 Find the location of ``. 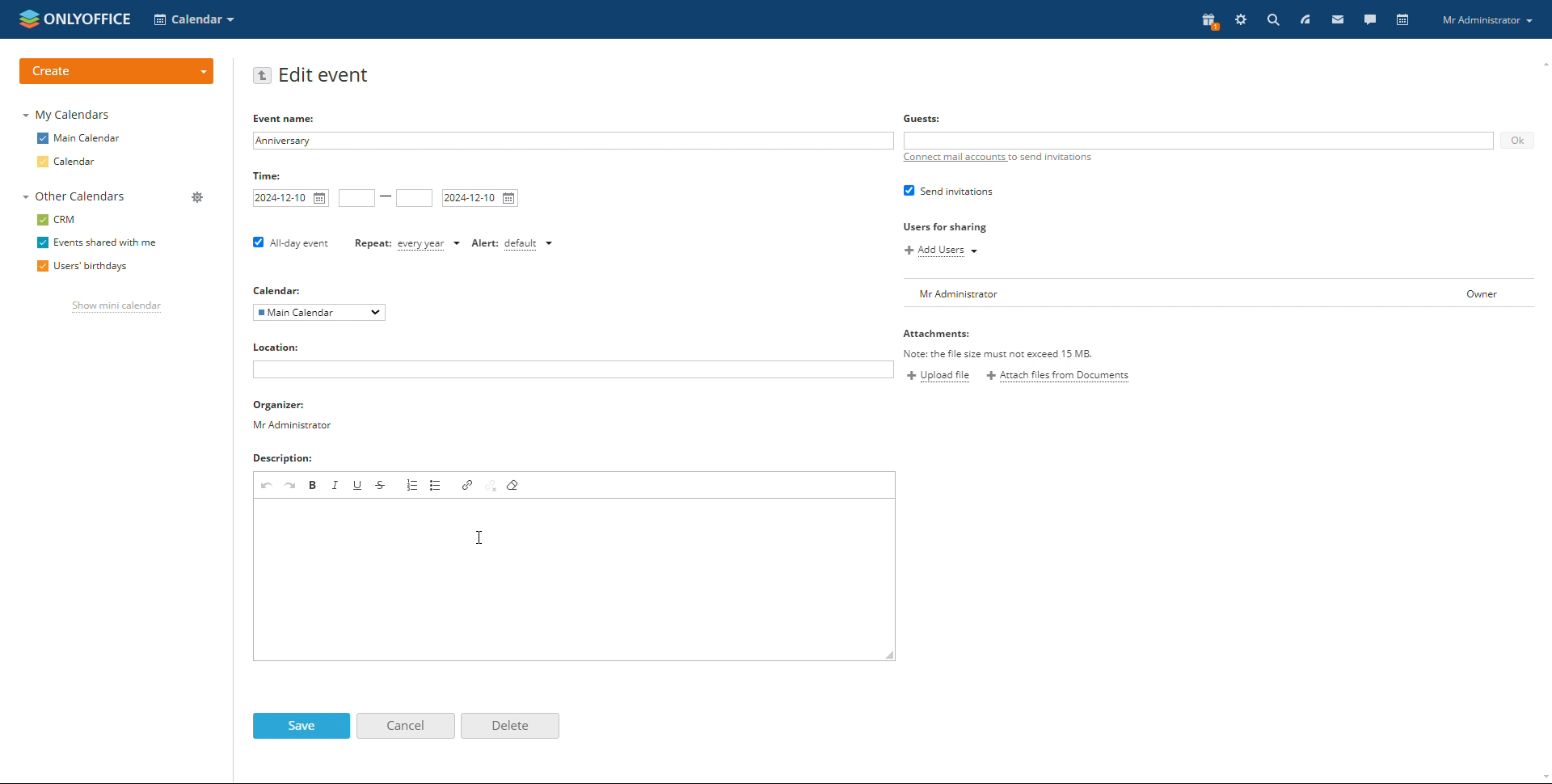

 is located at coordinates (564, 580).